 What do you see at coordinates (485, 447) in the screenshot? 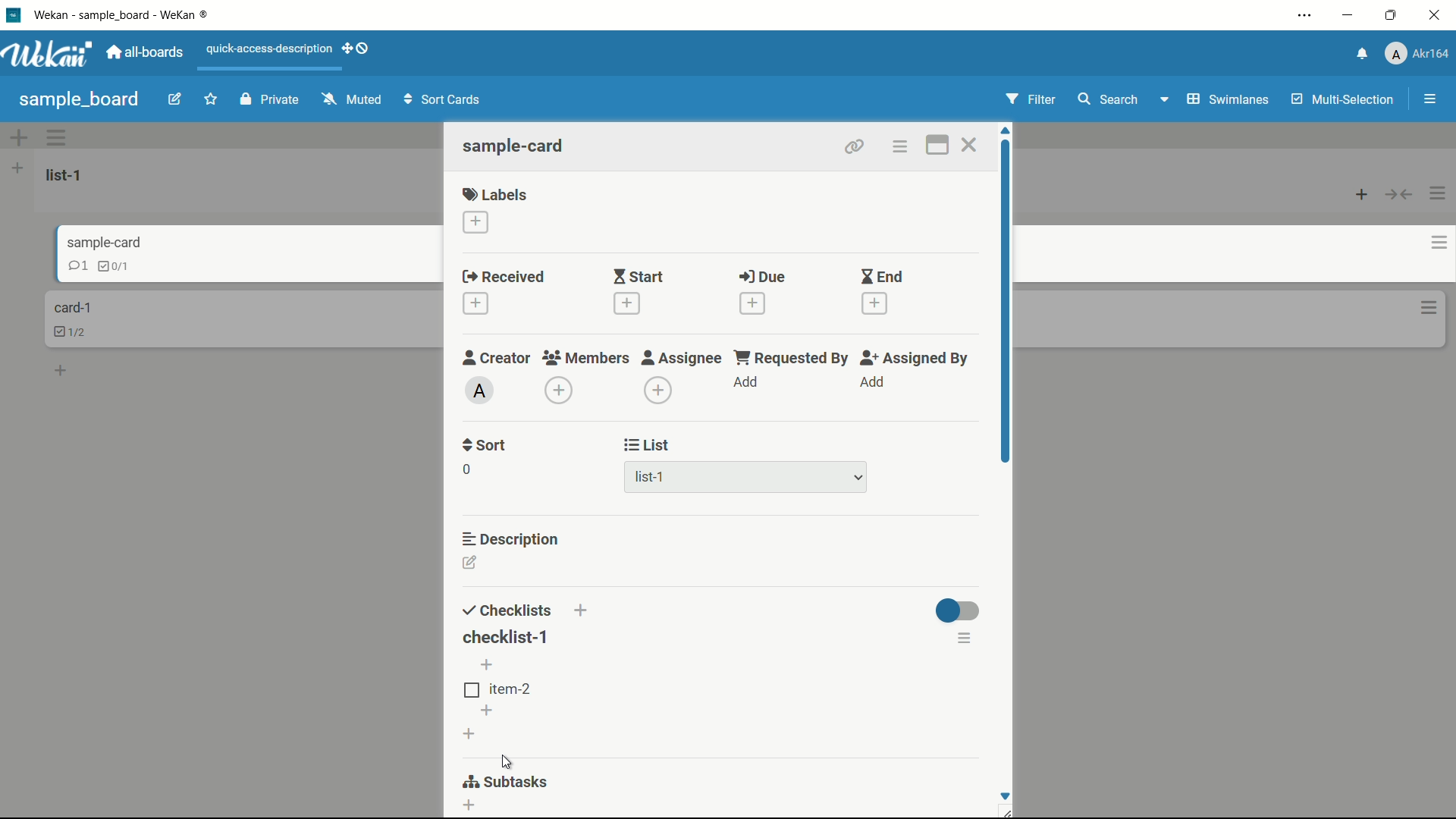
I see `sort` at bounding box center [485, 447].